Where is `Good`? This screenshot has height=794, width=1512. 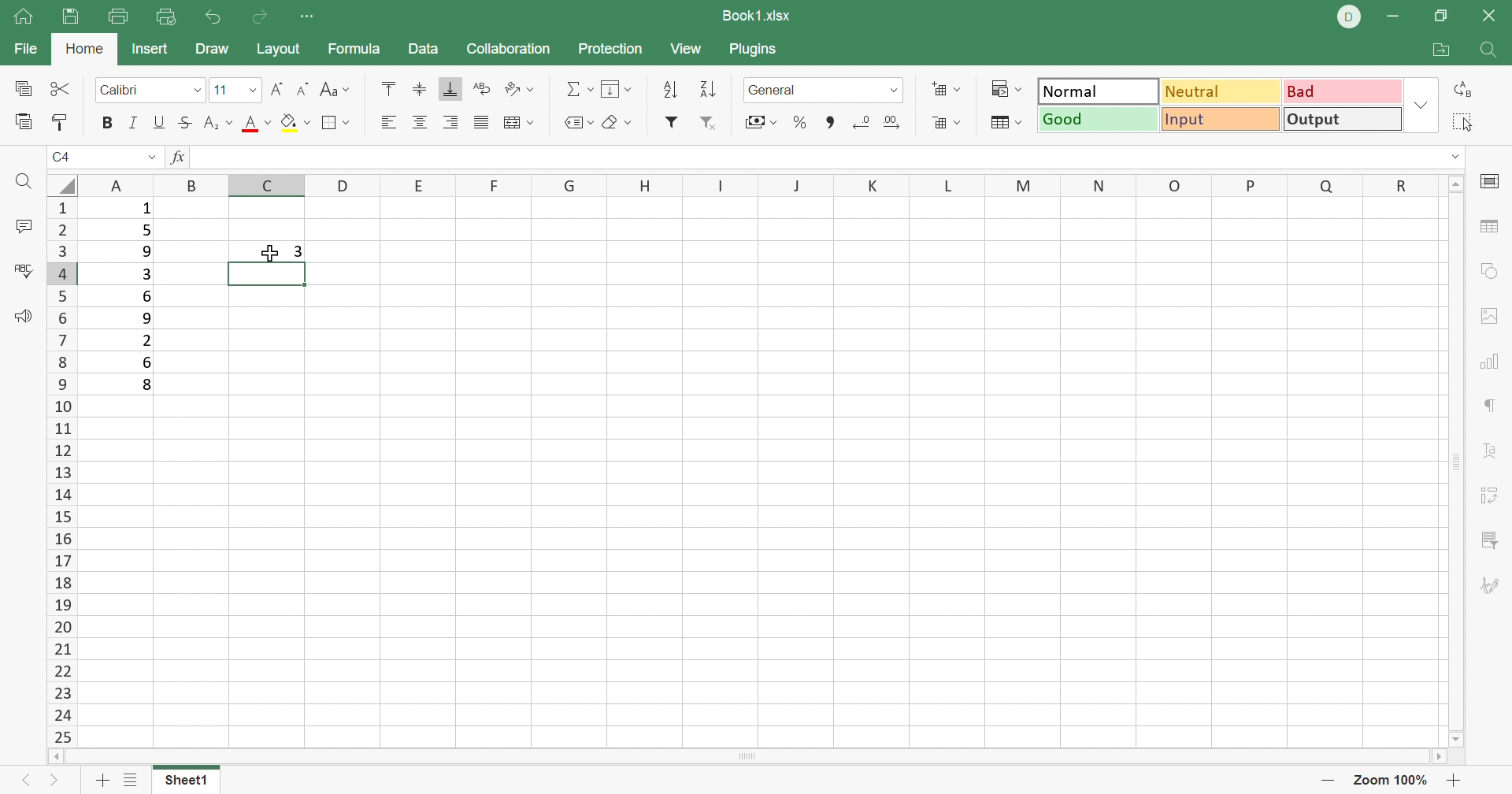
Good is located at coordinates (1099, 119).